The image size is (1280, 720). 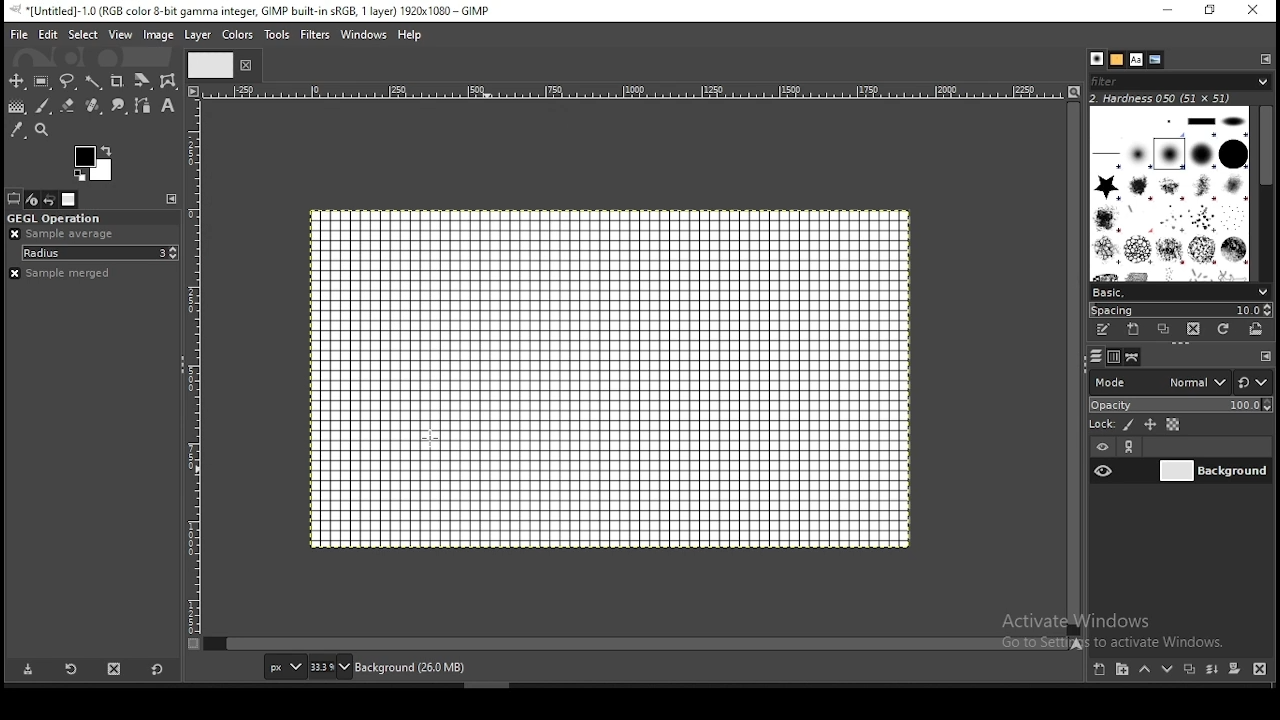 What do you see at coordinates (316, 36) in the screenshot?
I see `filters` at bounding box center [316, 36].